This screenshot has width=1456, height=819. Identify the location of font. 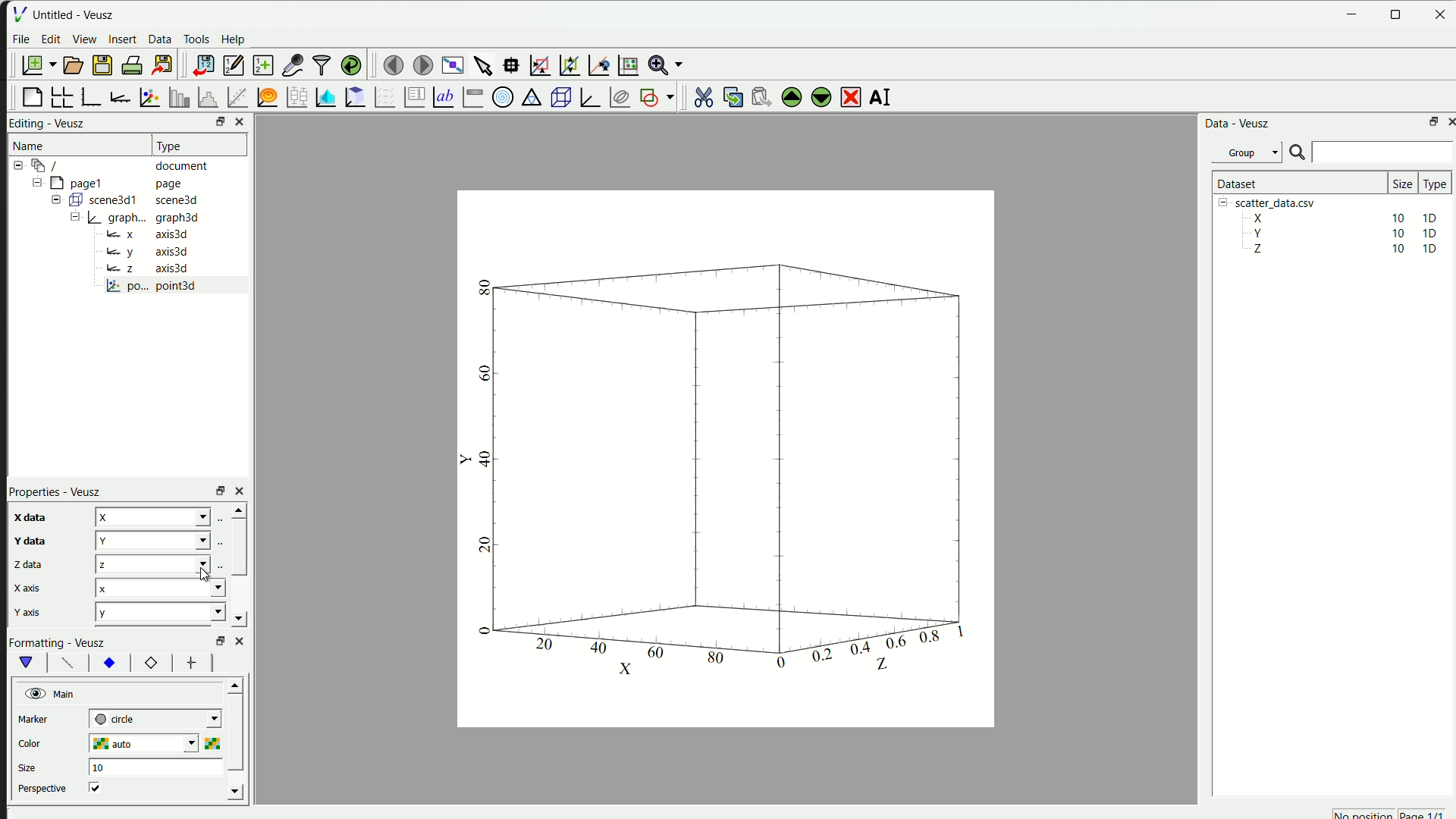
(191, 663).